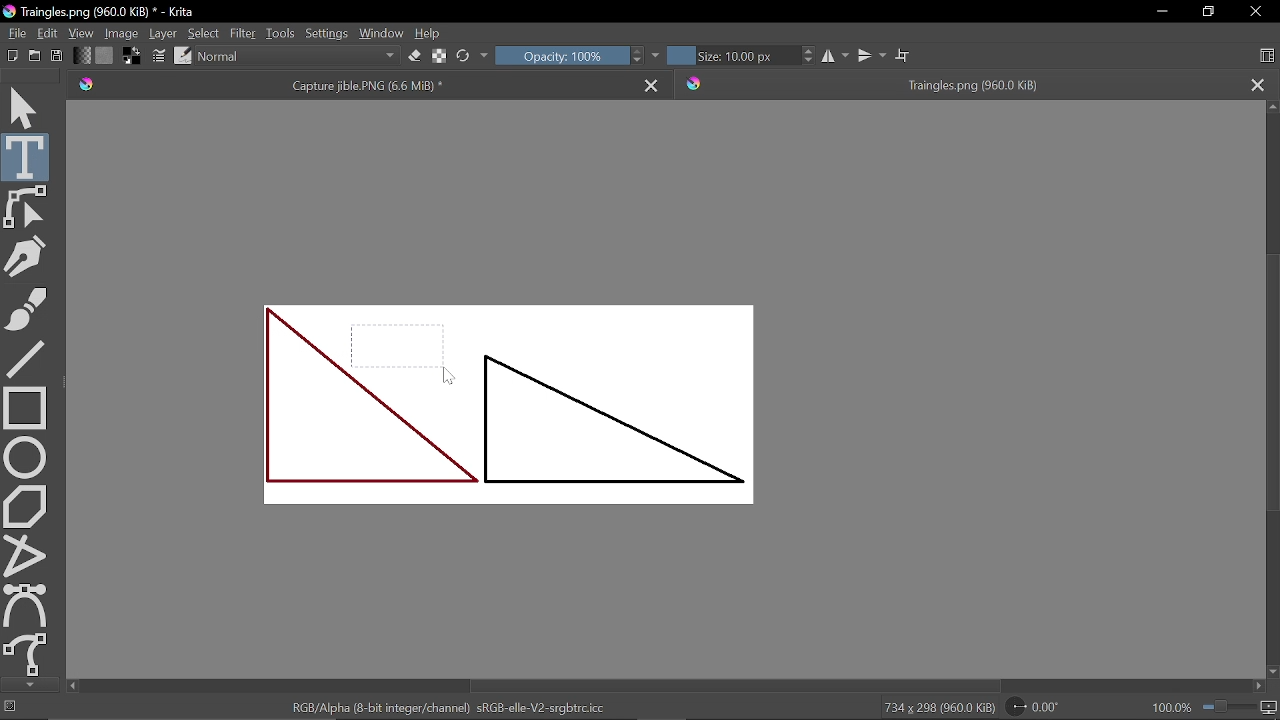 The width and height of the screenshot is (1280, 720). What do you see at coordinates (104, 56) in the screenshot?
I see `Fill pattern` at bounding box center [104, 56].